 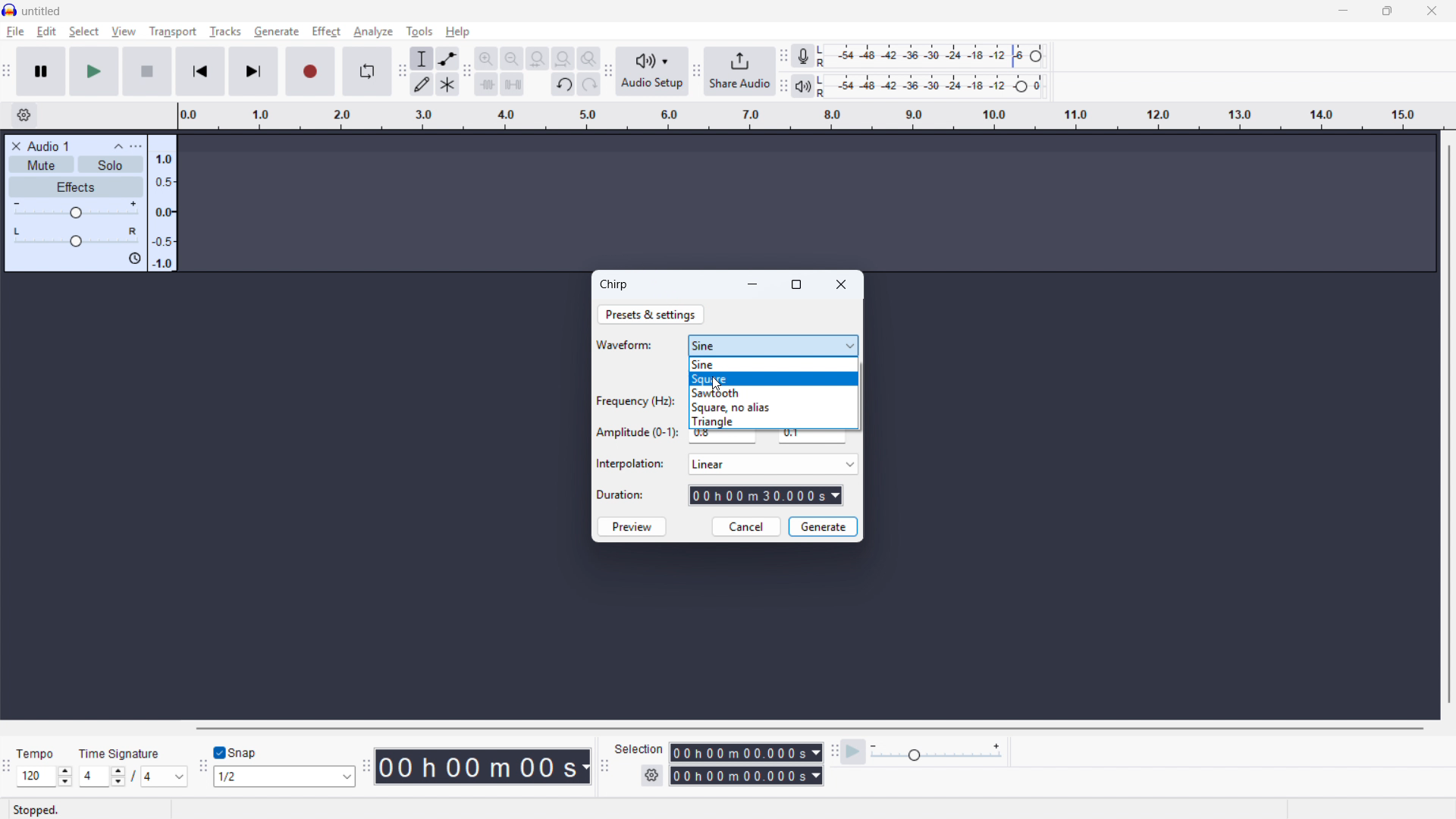 I want to click on Transport , so click(x=171, y=31).